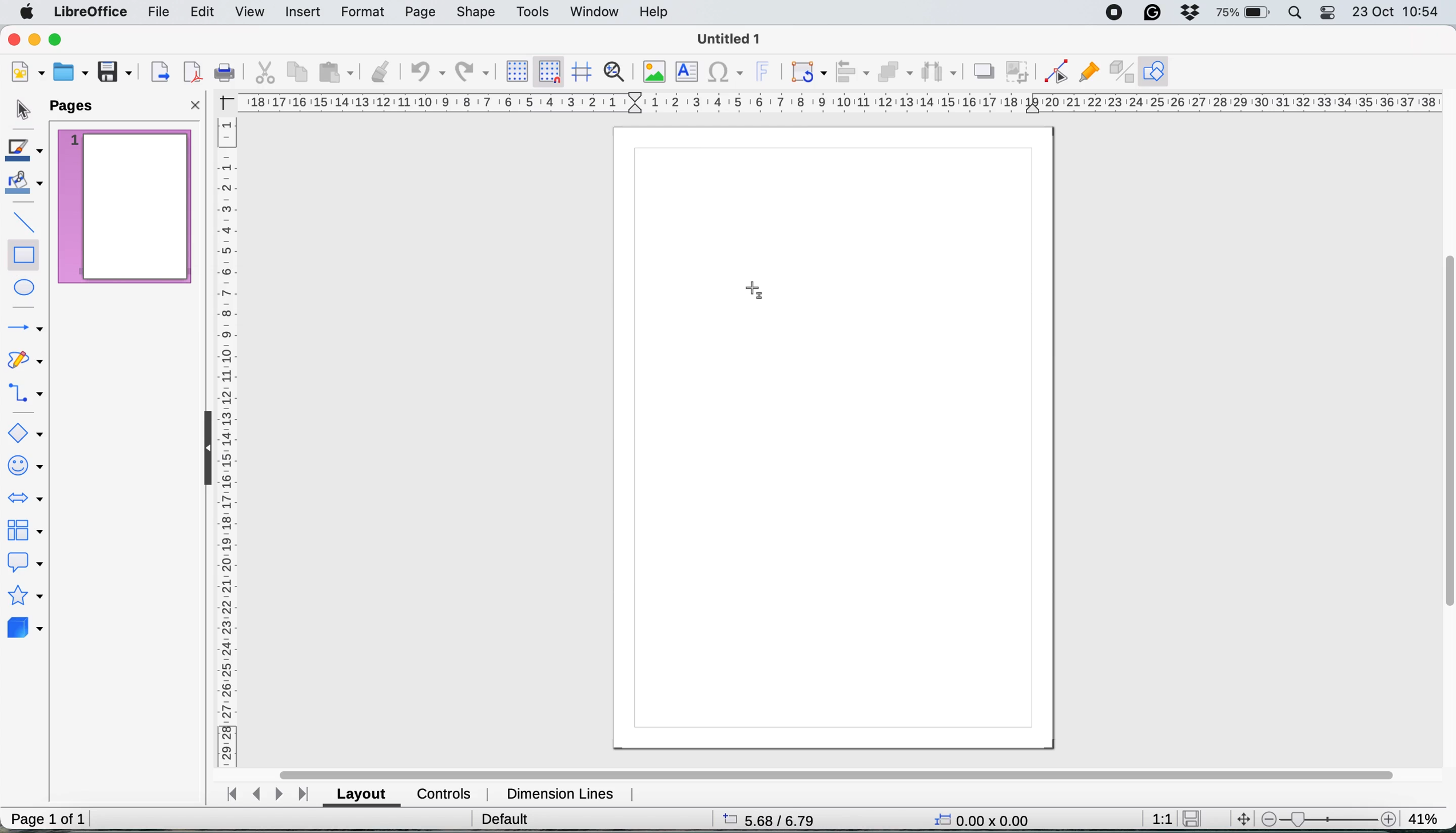 This screenshot has height=833, width=1456. Describe the element at coordinates (26, 563) in the screenshot. I see `callout shapes` at that location.